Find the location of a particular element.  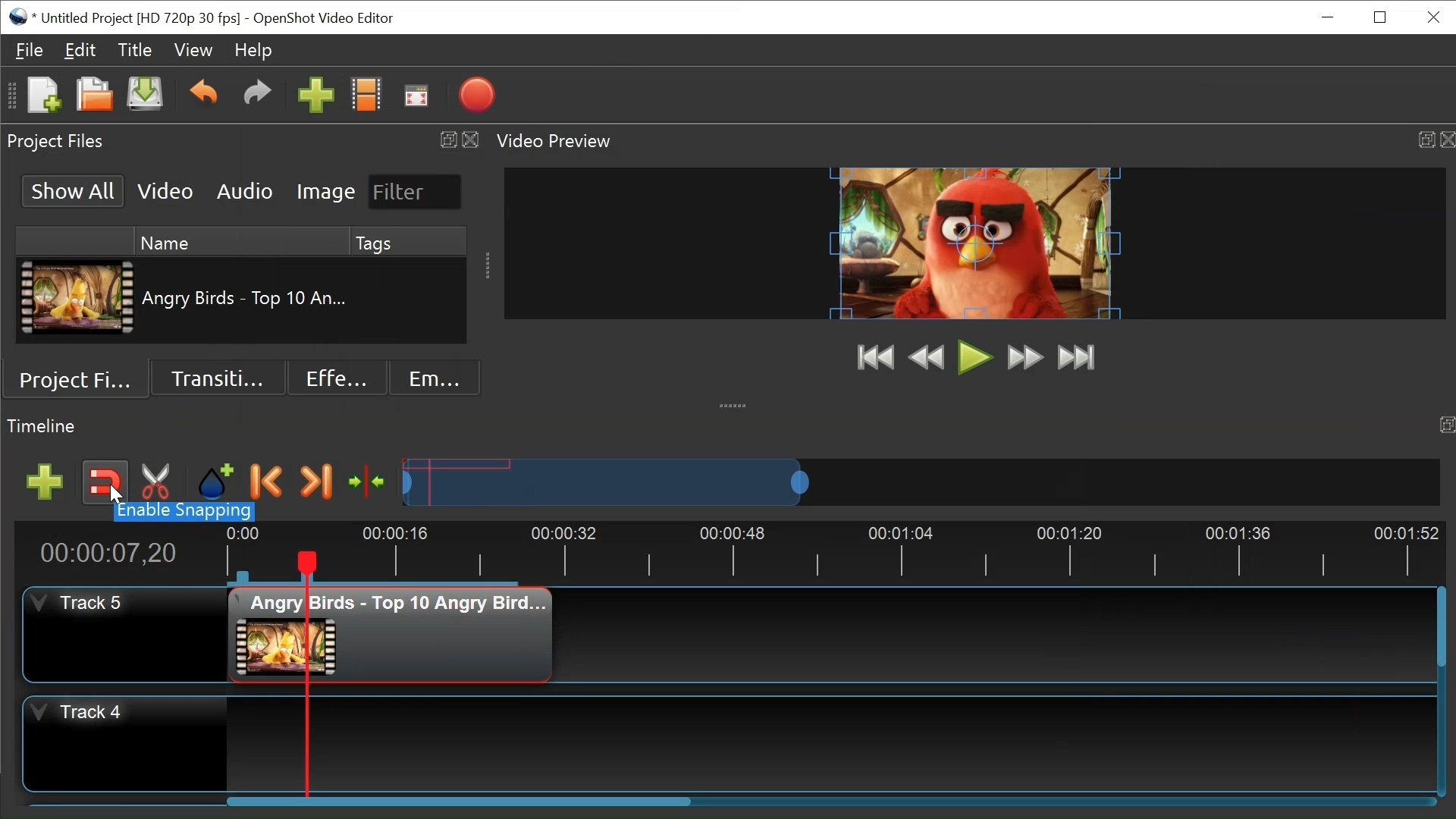

Horizontal Scroll bar is located at coordinates (456, 800).